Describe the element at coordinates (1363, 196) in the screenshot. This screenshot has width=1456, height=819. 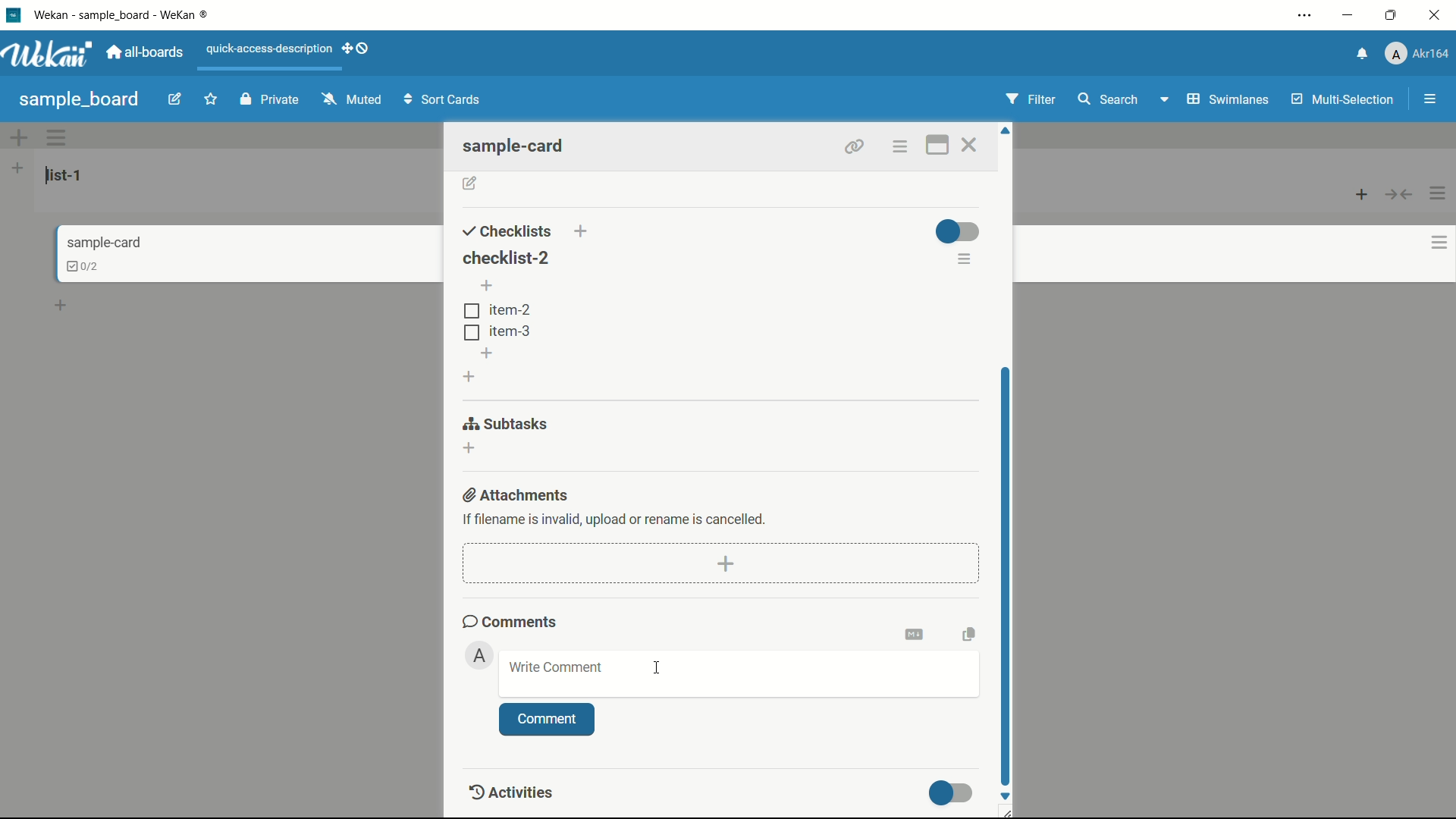
I see `add card to top of list` at that location.